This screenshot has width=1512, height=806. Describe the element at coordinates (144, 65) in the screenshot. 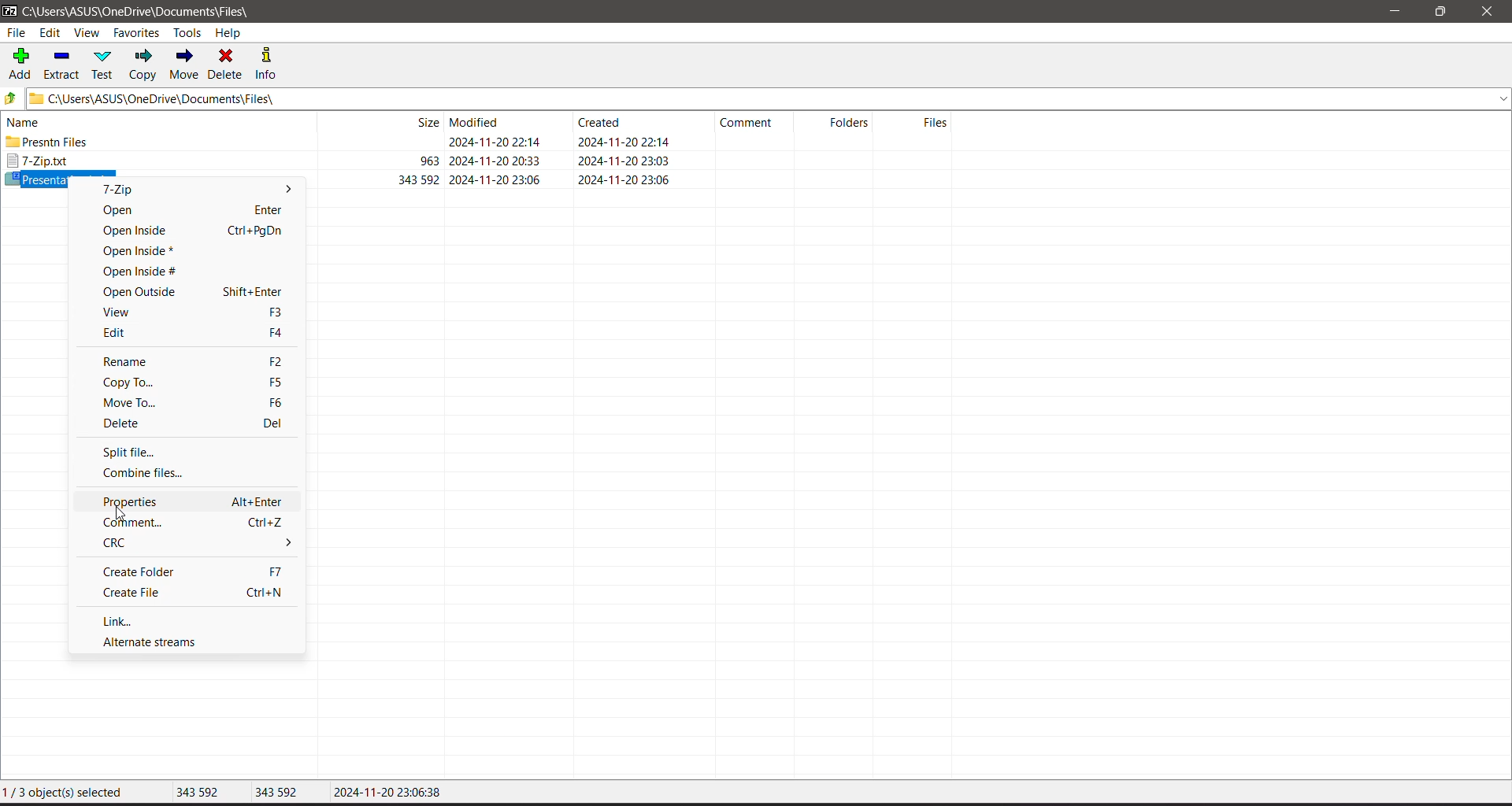

I see `Copy` at that location.